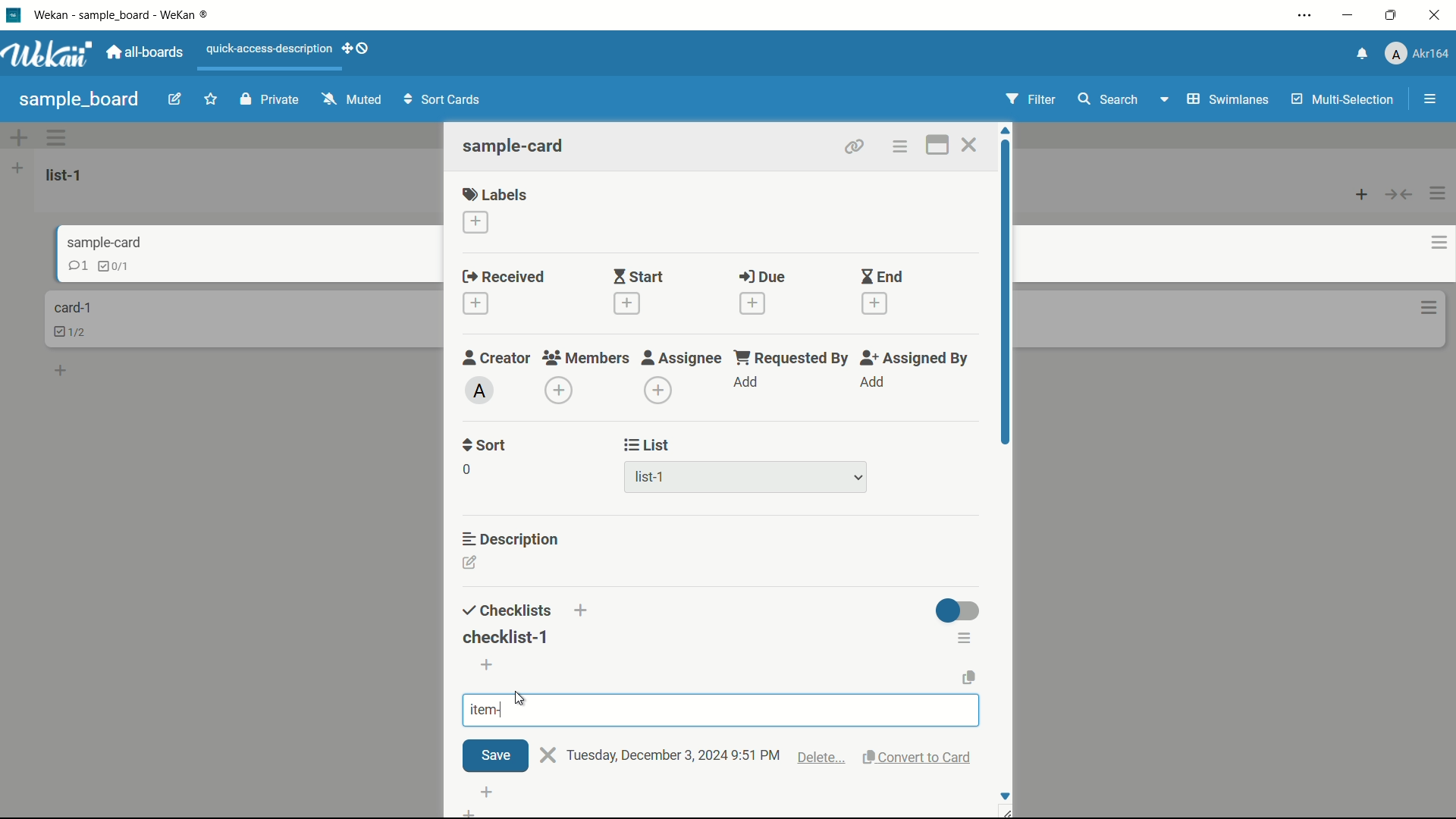  Describe the element at coordinates (444, 99) in the screenshot. I see `sort cards` at that location.